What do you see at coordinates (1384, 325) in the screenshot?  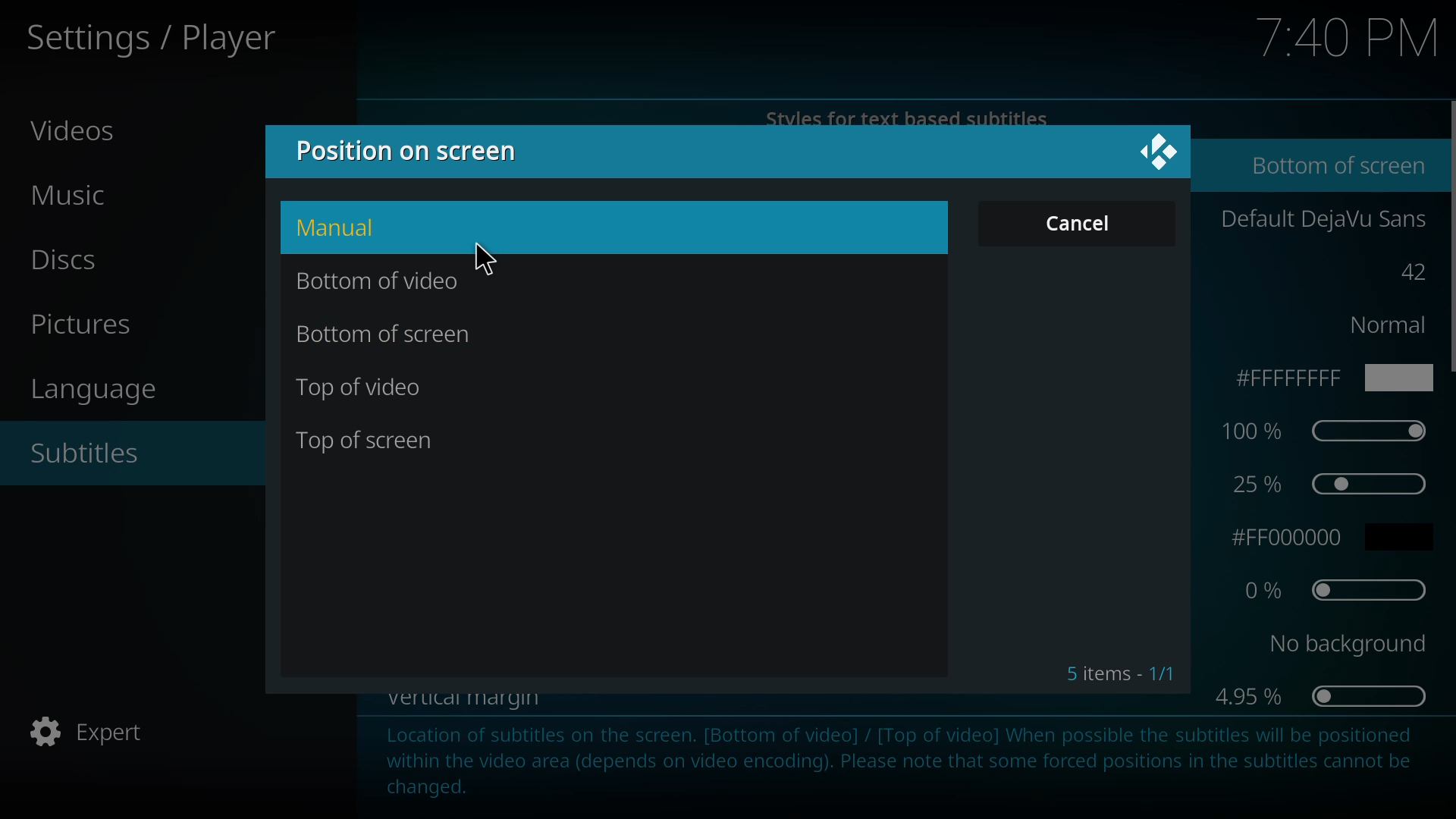 I see `normal` at bounding box center [1384, 325].